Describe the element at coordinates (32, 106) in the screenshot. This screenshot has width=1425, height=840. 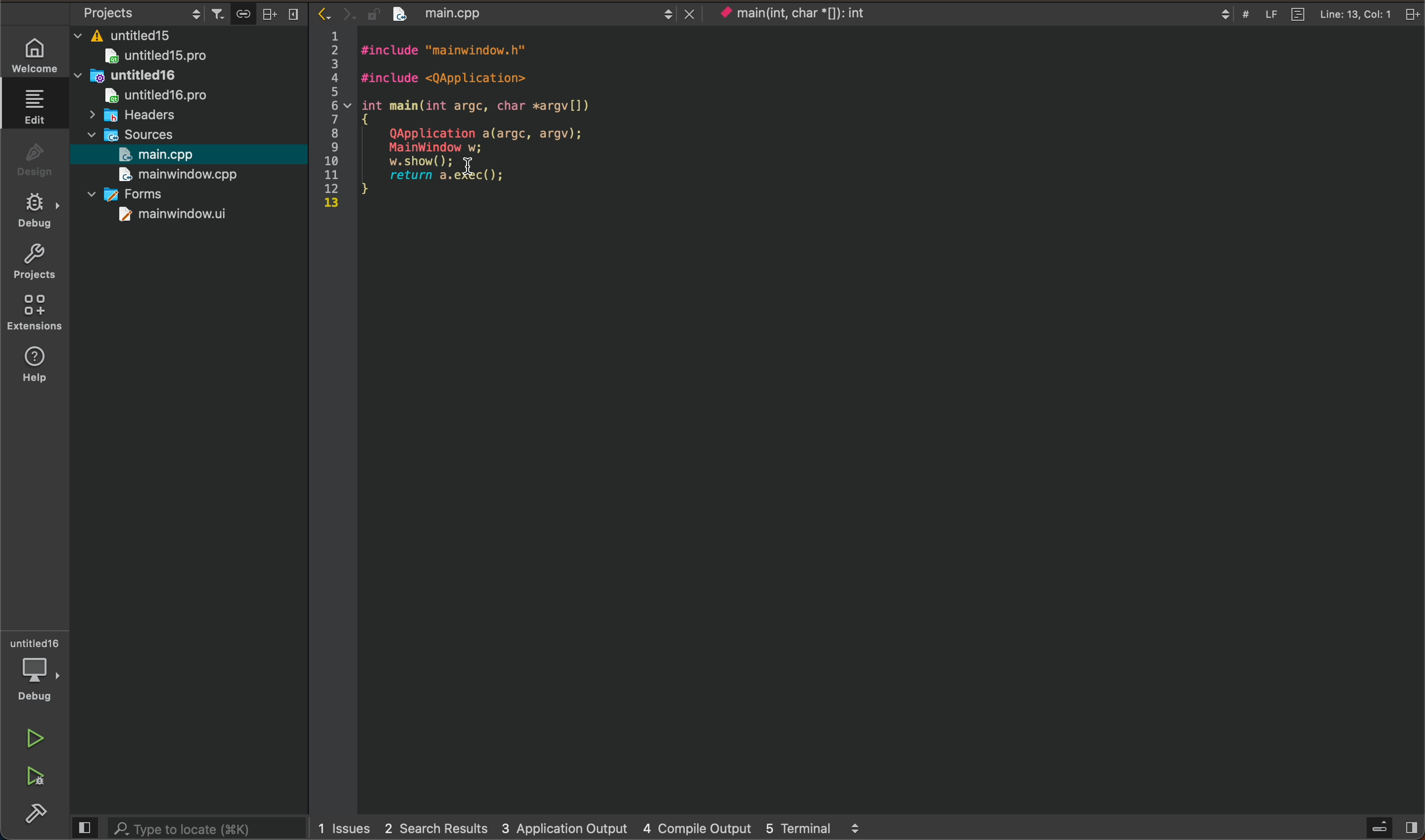
I see `edit` at that location.